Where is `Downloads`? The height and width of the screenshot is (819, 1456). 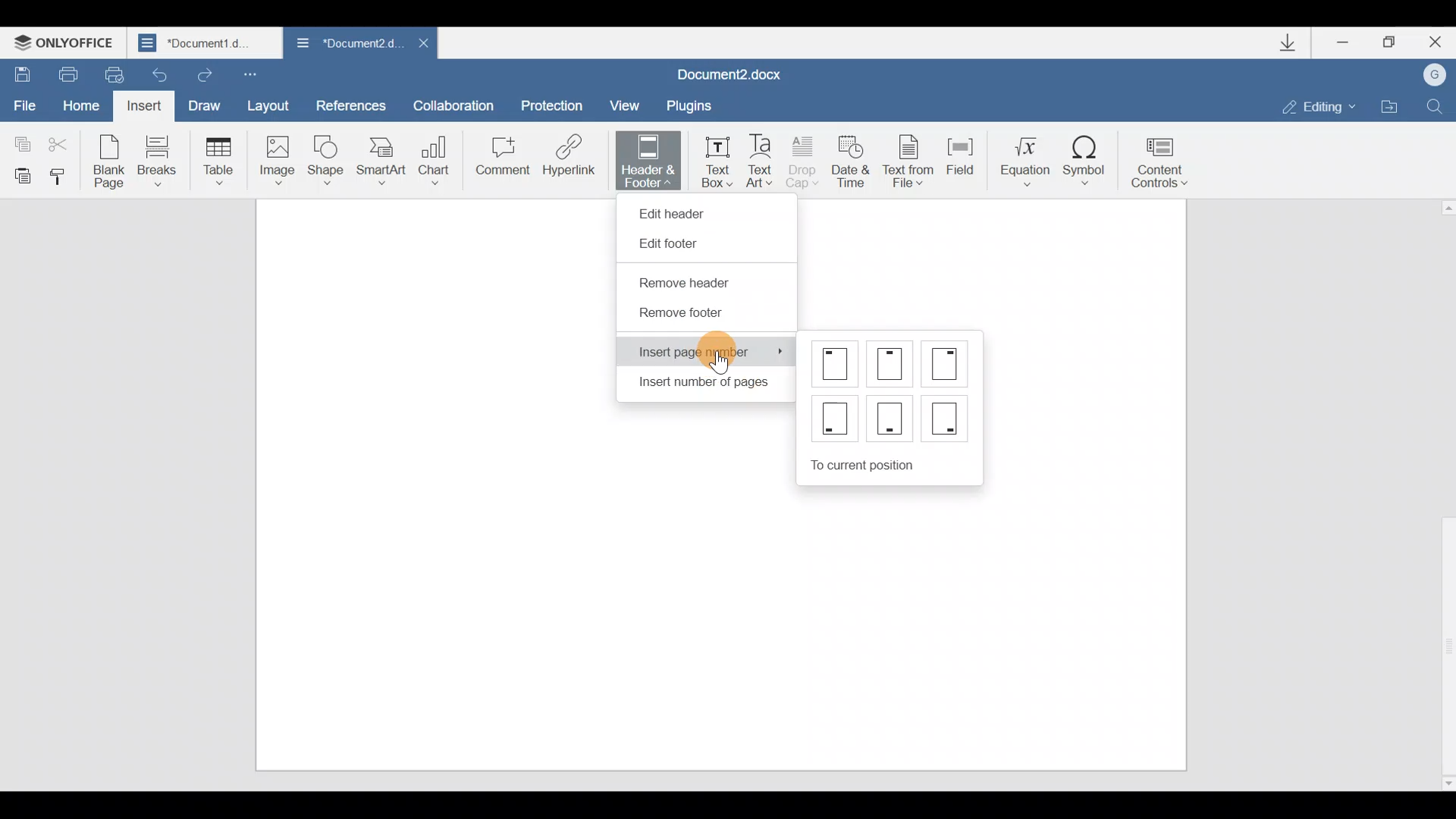 Downloads is located at coordinates (1288, 42).